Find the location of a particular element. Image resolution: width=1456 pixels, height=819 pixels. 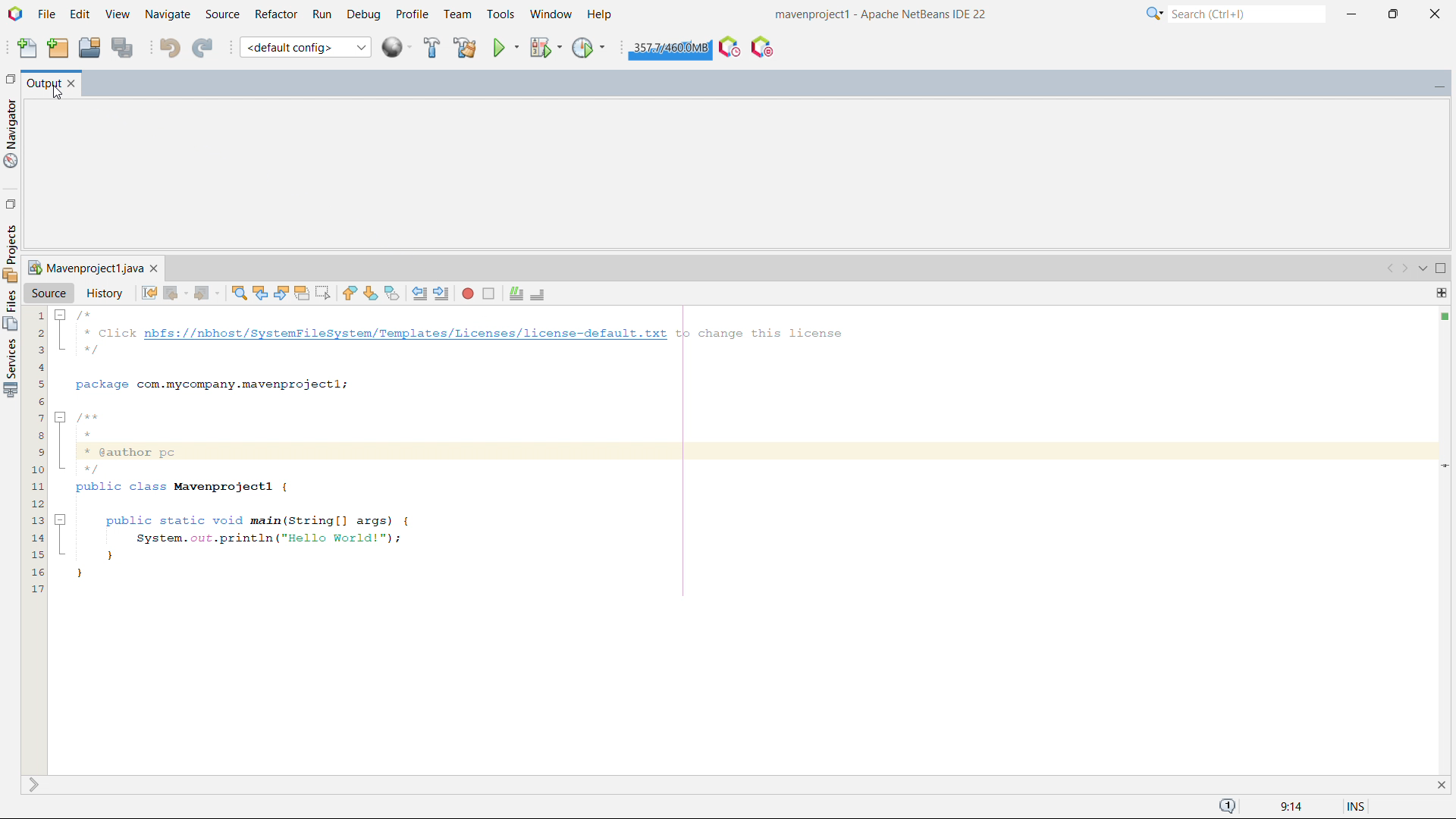

shift line left is located at coordinates (420, 293).